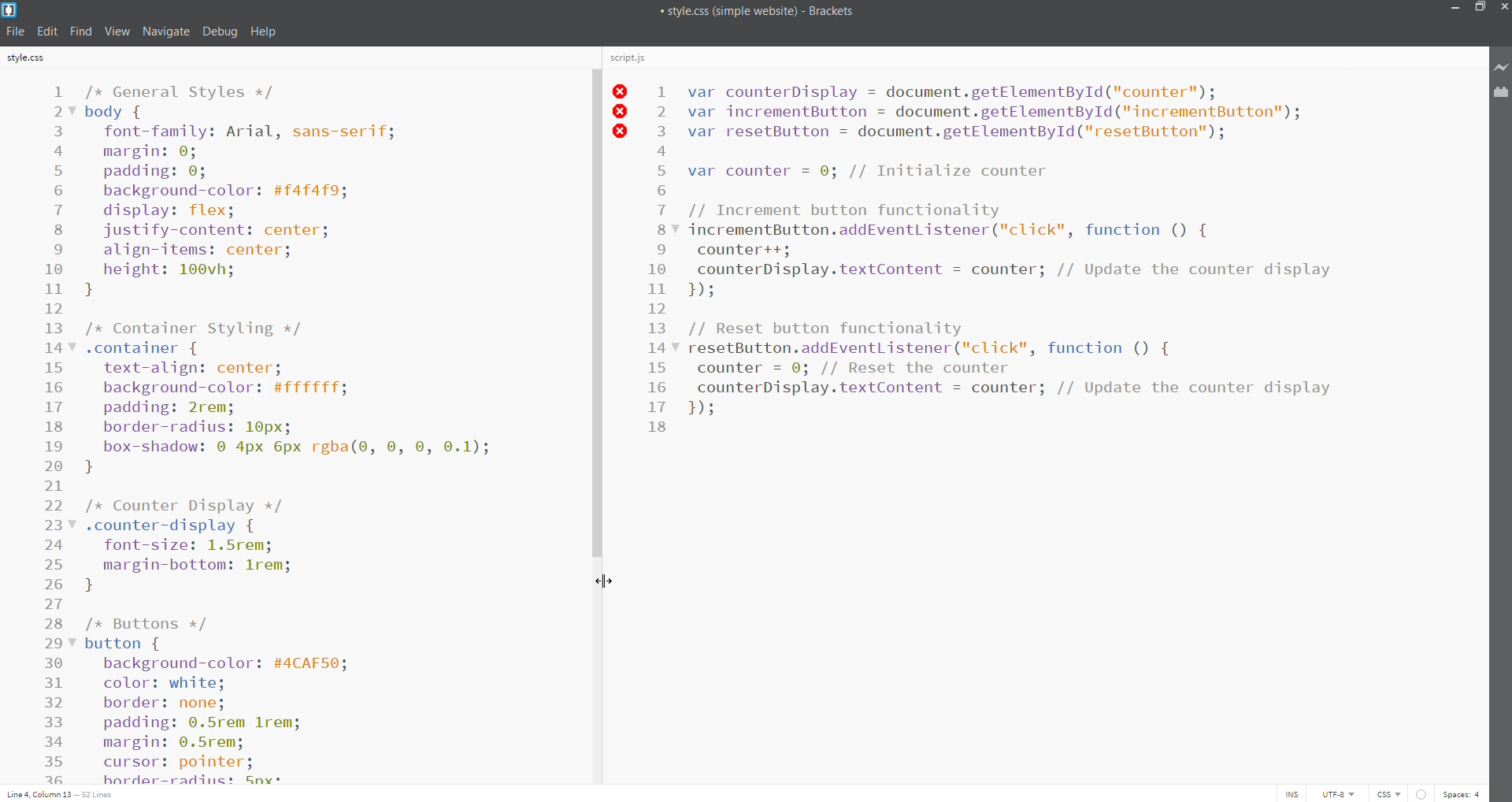  Describe the element at coordinates (1455, 9) in the screenshot. I see `minimize` at that location.